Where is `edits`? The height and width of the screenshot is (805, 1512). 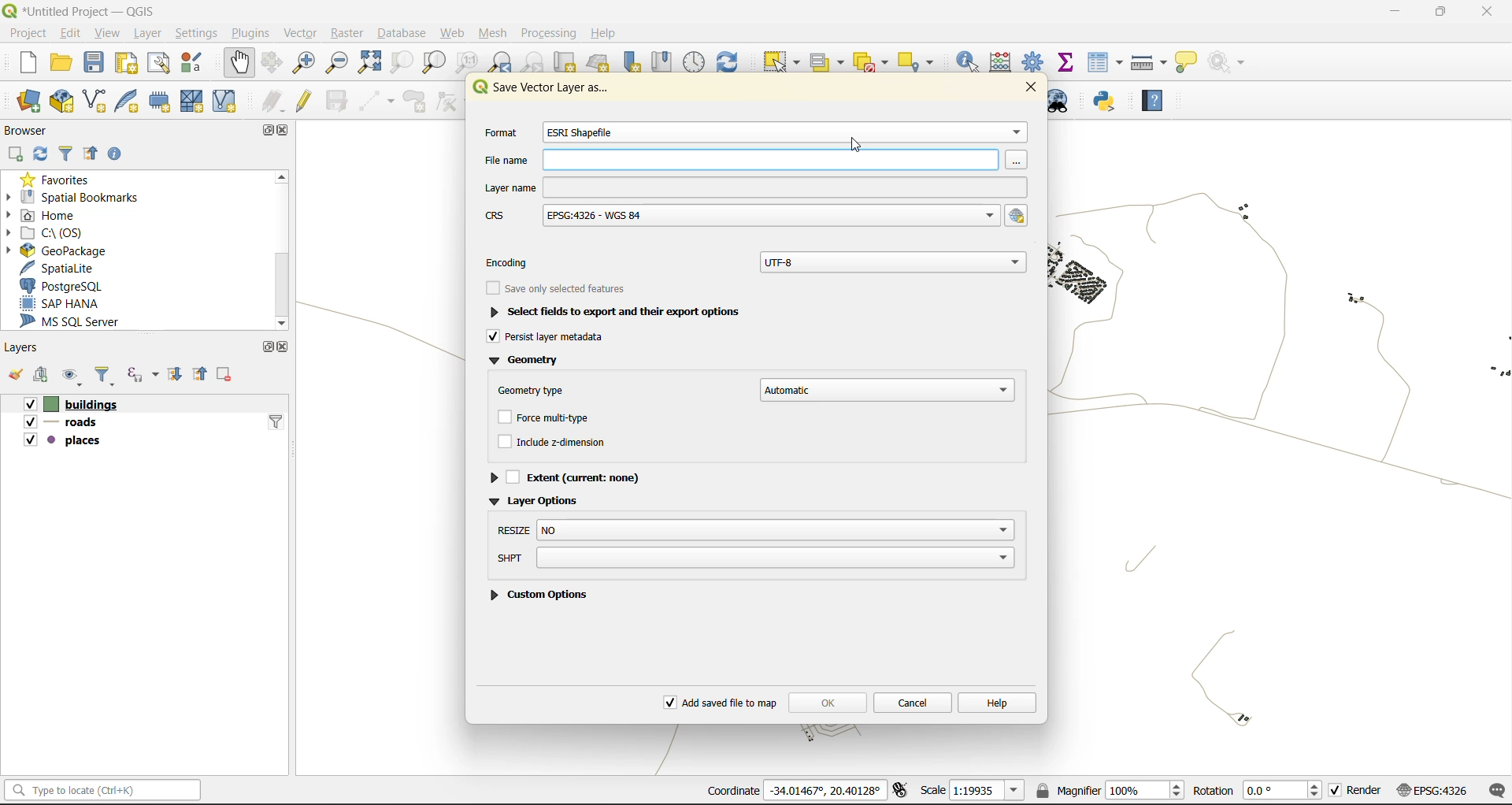
edits is located at coordinates (273, 99).